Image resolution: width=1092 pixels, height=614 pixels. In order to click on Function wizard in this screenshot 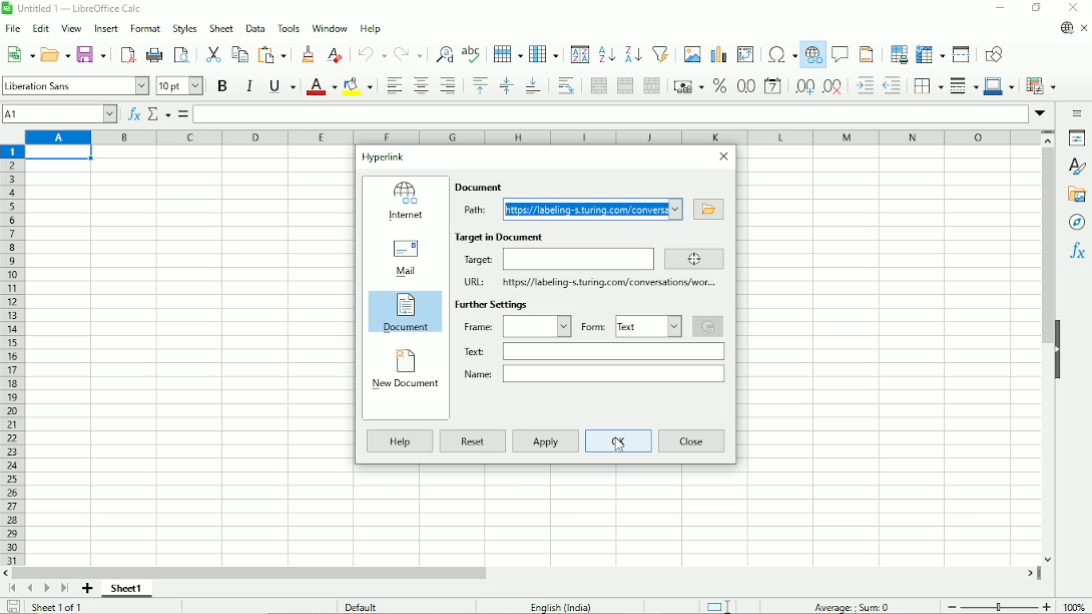, I will do `click(134, 115)`.